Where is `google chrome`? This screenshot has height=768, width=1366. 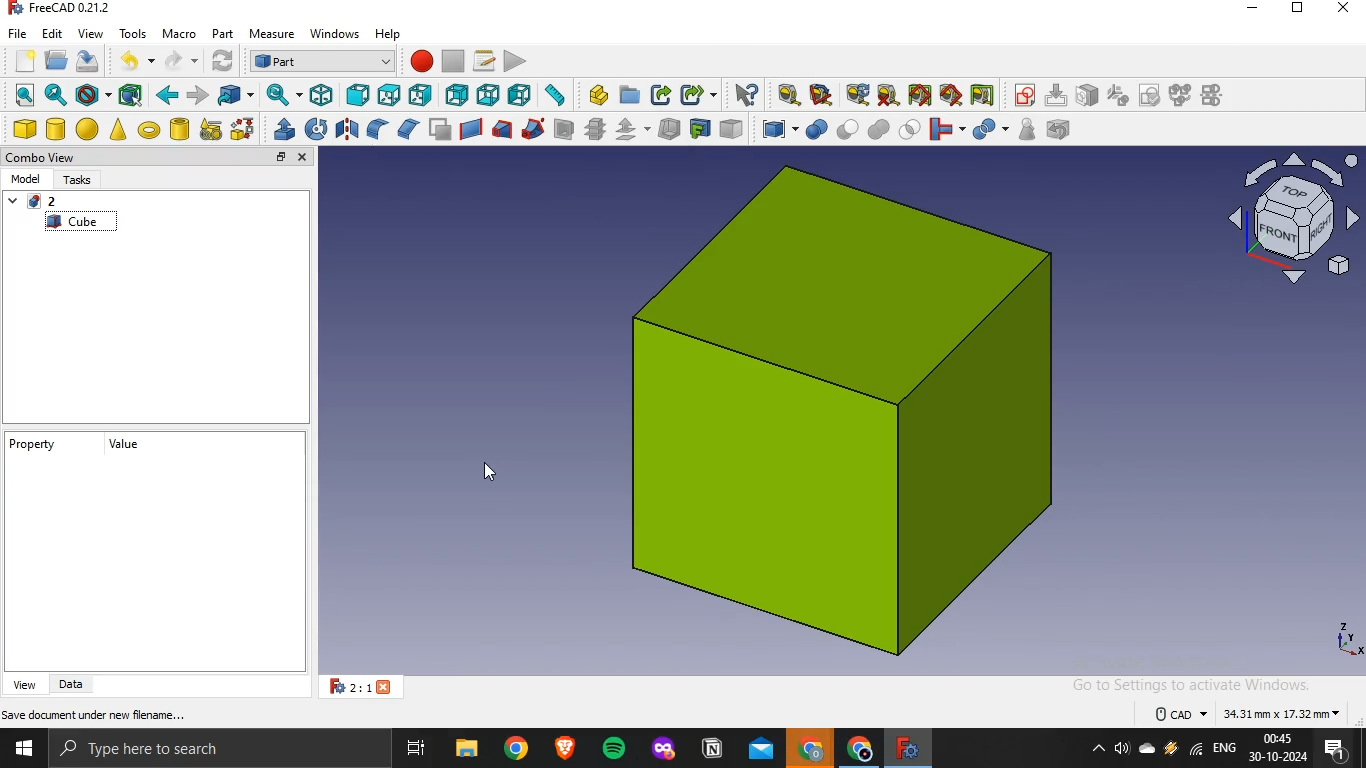
google chrome is located at coordinates (516, 748).